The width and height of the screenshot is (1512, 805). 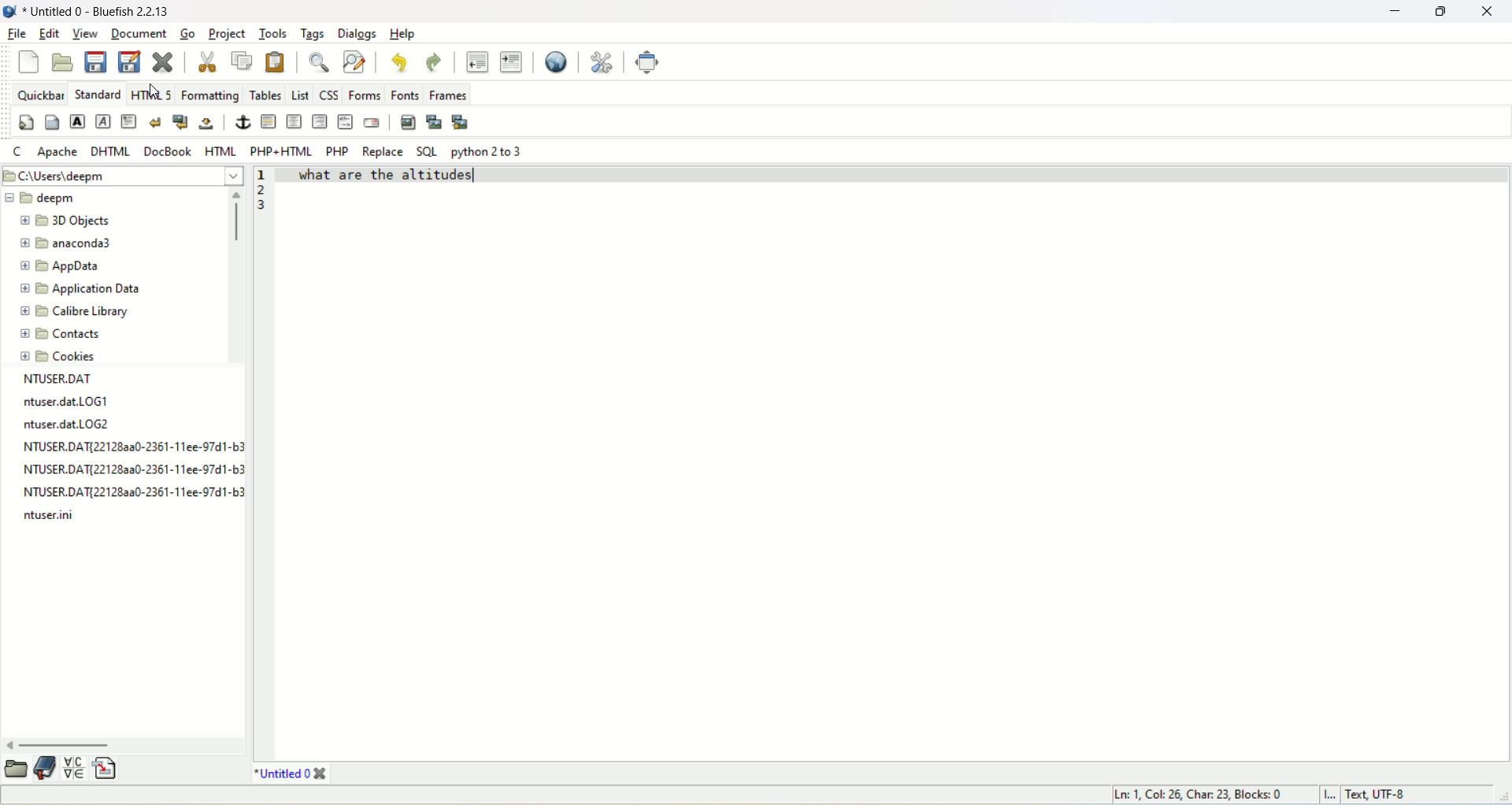 I want to click on cookies, so click(x=61, y=356).